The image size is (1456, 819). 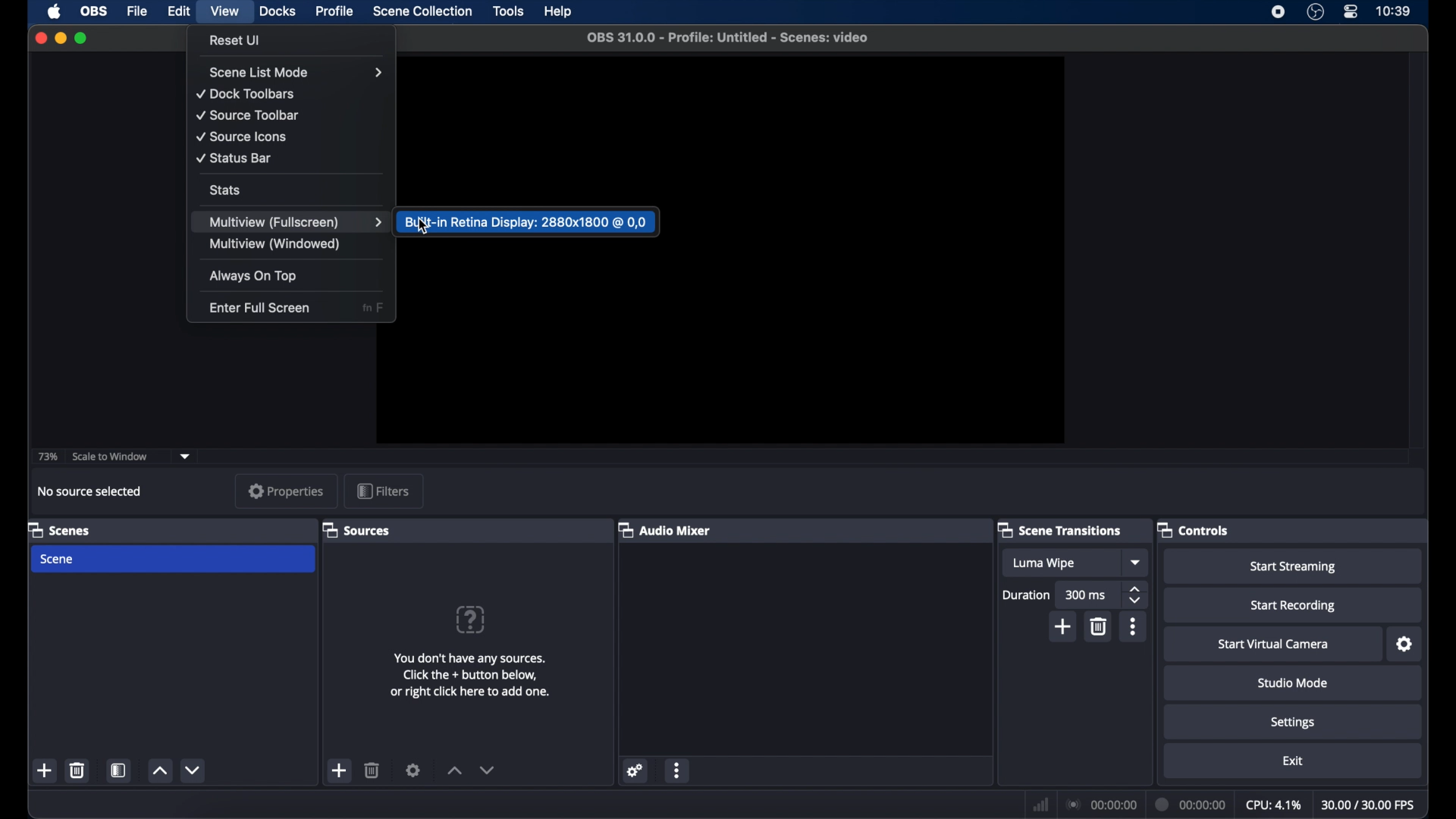 What do you see at coordinates (118, 770) in the screenshot?
I see `scene filters` at bounding box center [118, 770].